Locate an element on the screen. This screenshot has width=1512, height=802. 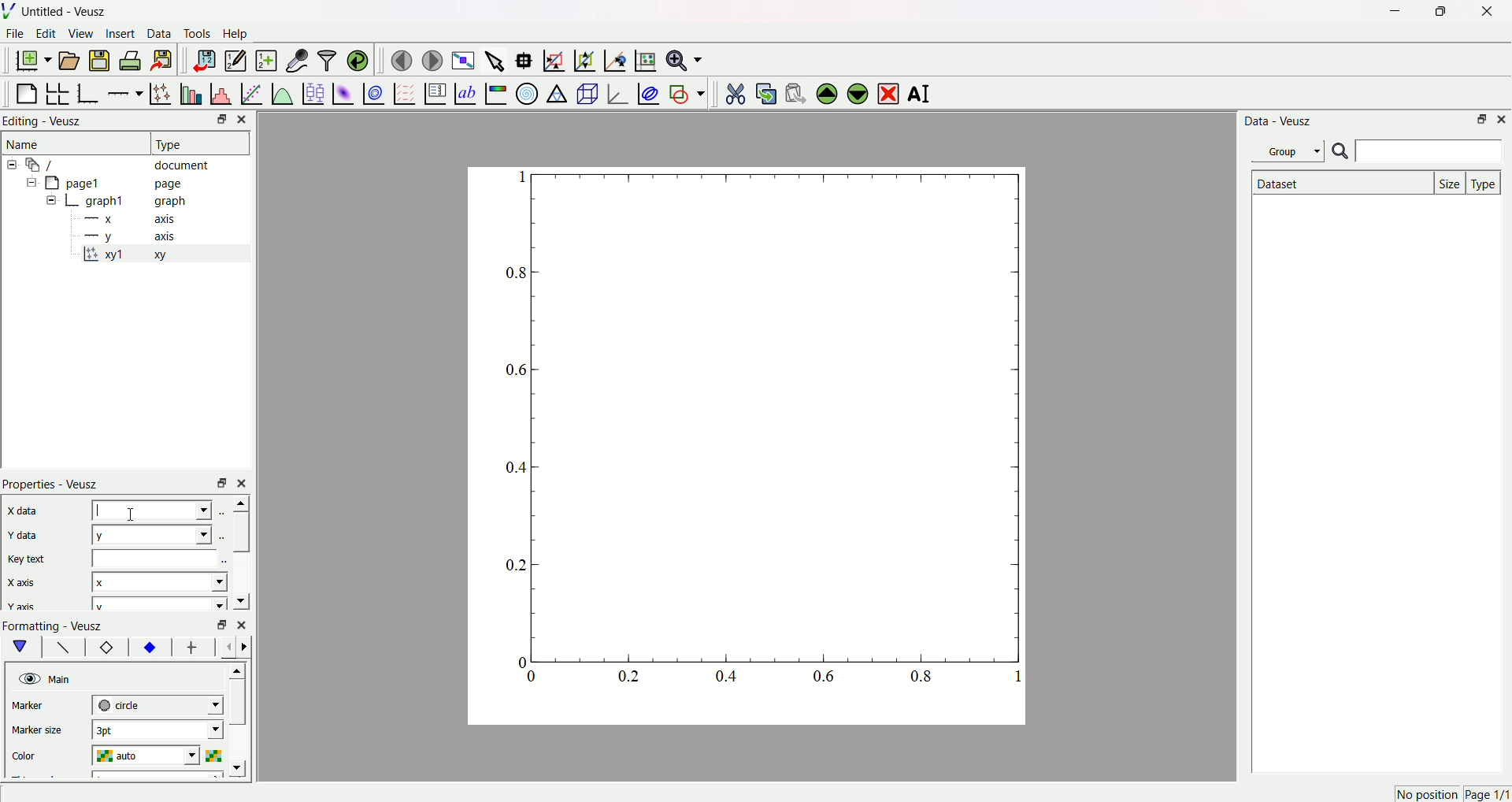
scroll bar is located at coordinates (240, 532).